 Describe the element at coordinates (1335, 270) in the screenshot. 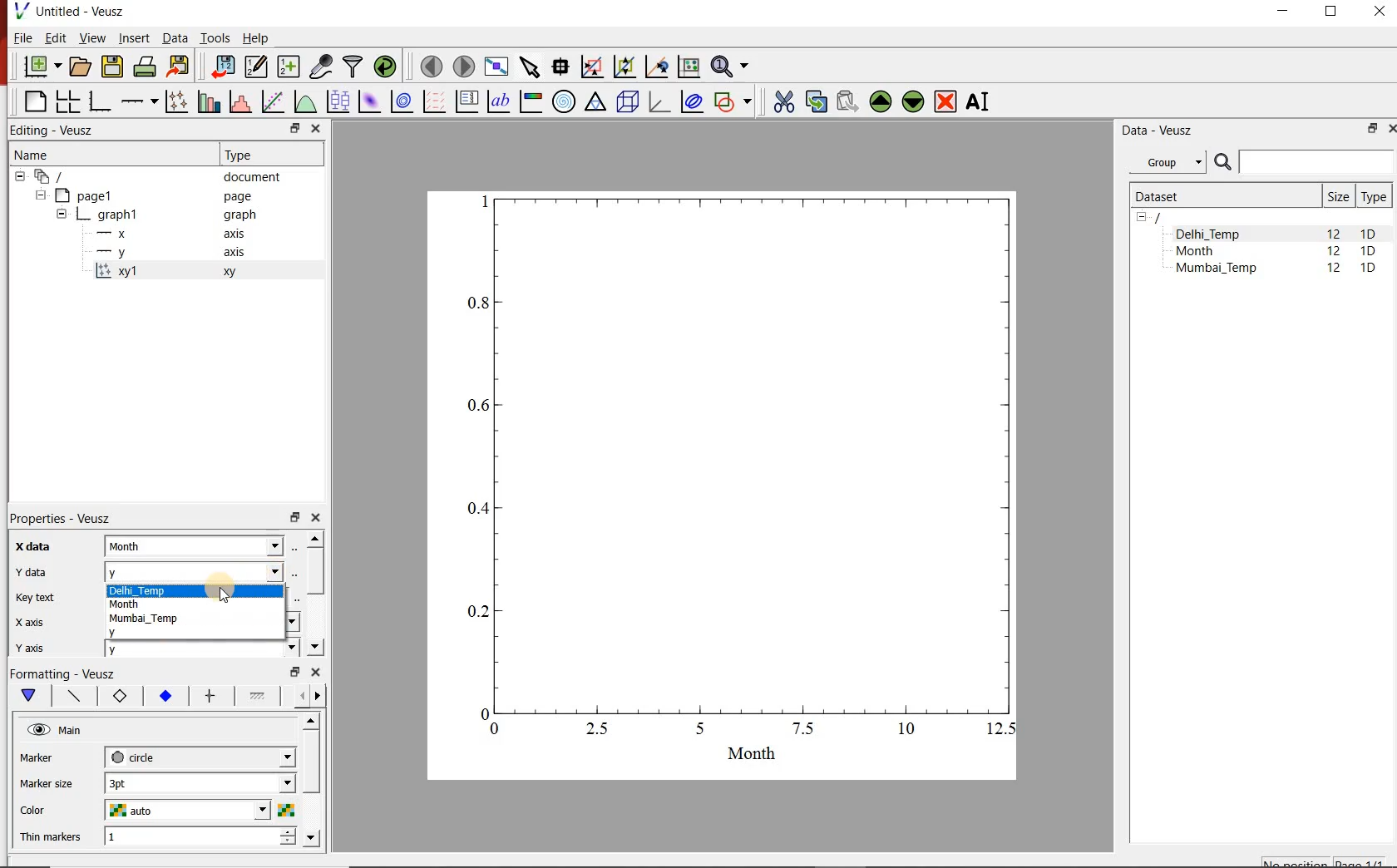

I see `12` at that location.